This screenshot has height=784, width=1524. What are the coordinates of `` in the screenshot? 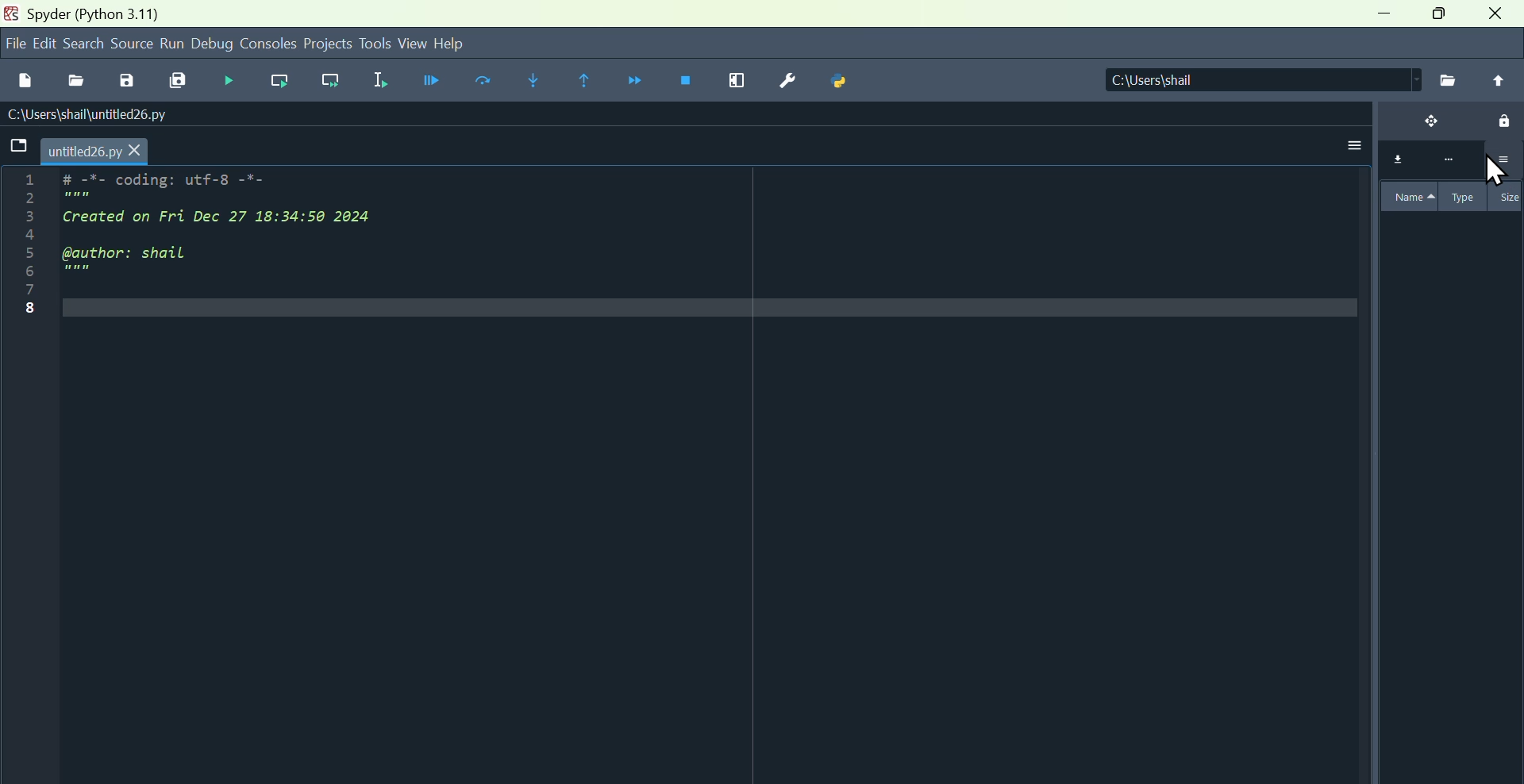 It's located at (92, 13).